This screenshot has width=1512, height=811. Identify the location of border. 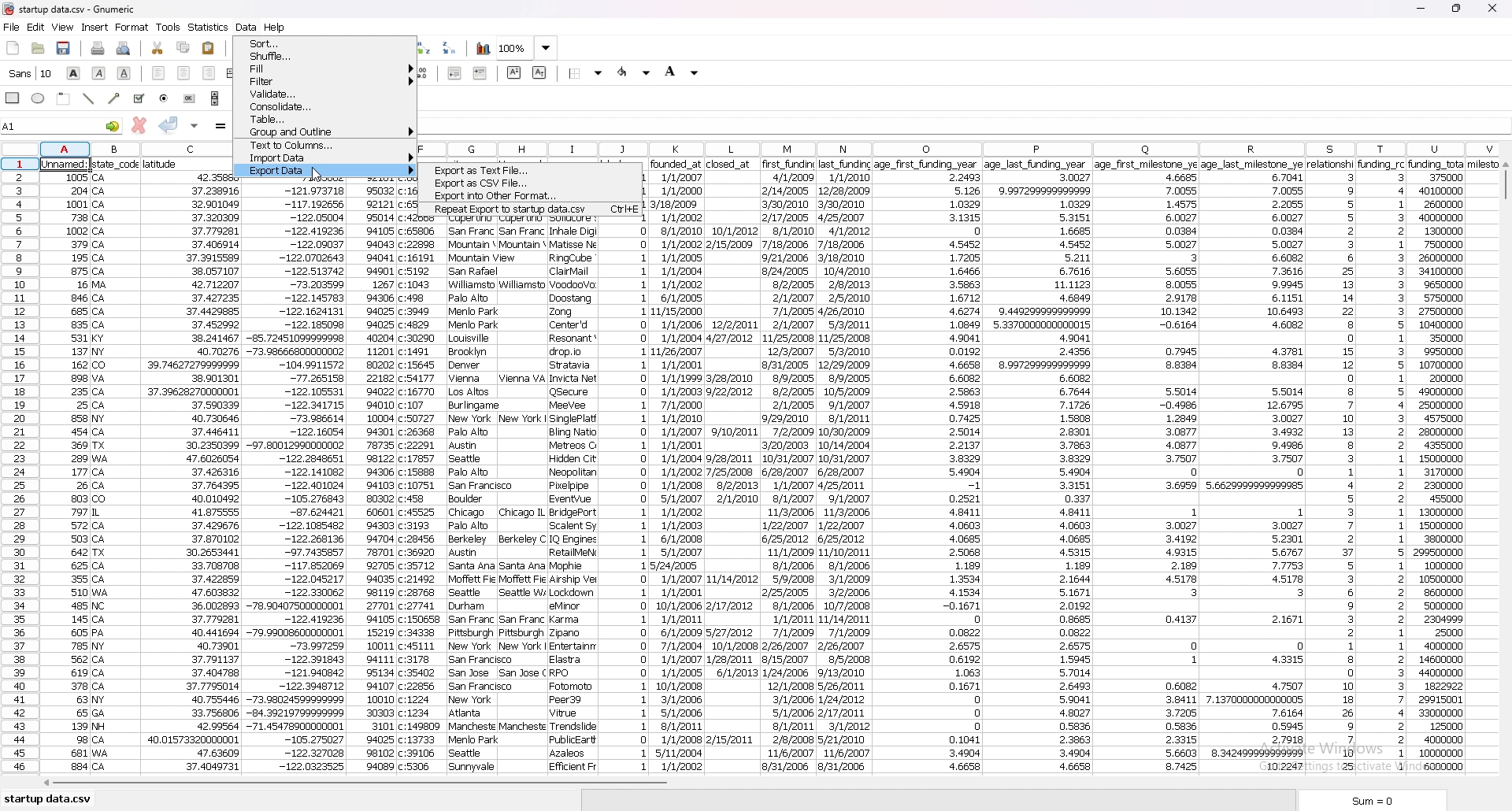
(587, 72).